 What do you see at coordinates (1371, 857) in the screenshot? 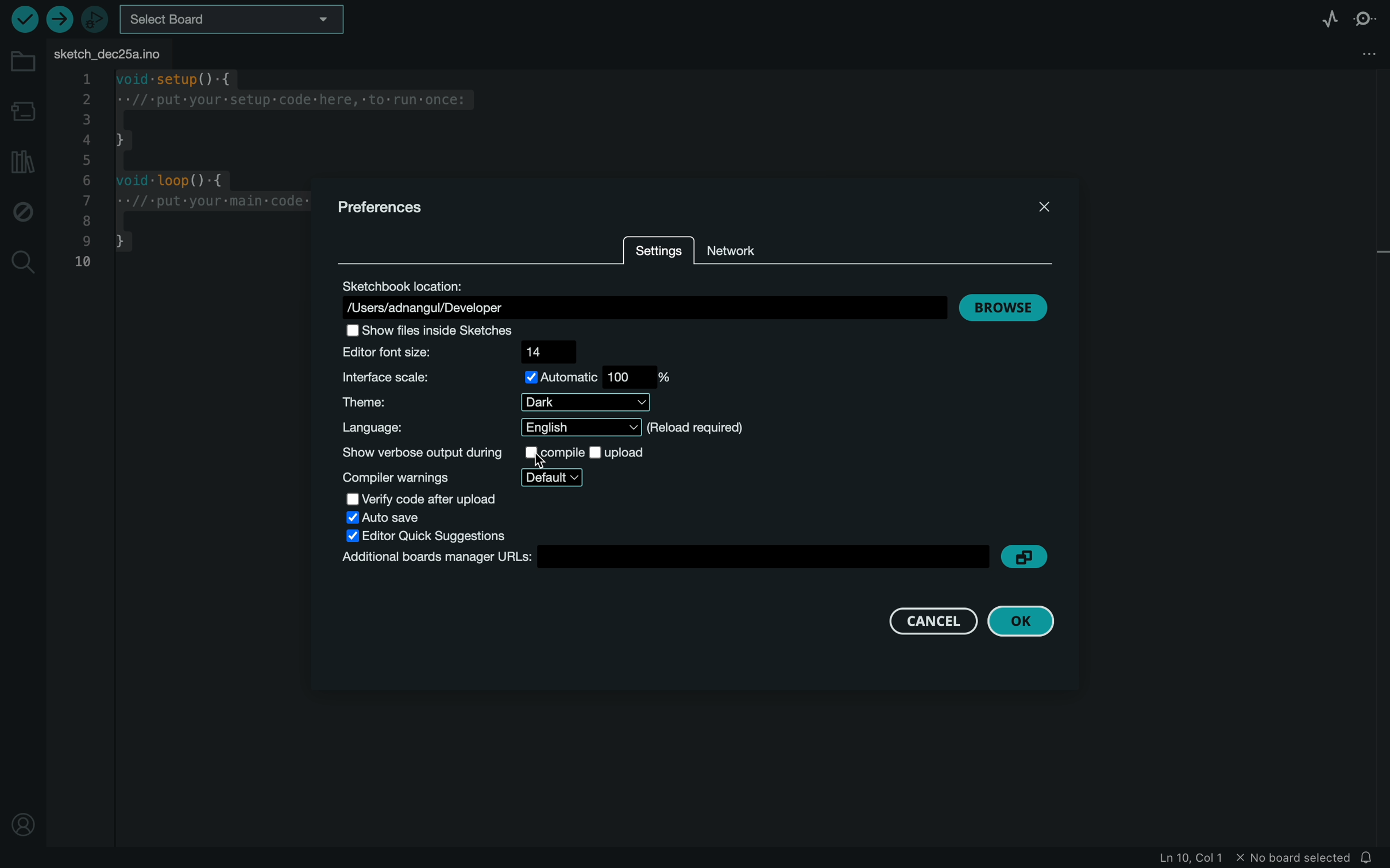
I see `notification` at bounding box center [1371, 857].